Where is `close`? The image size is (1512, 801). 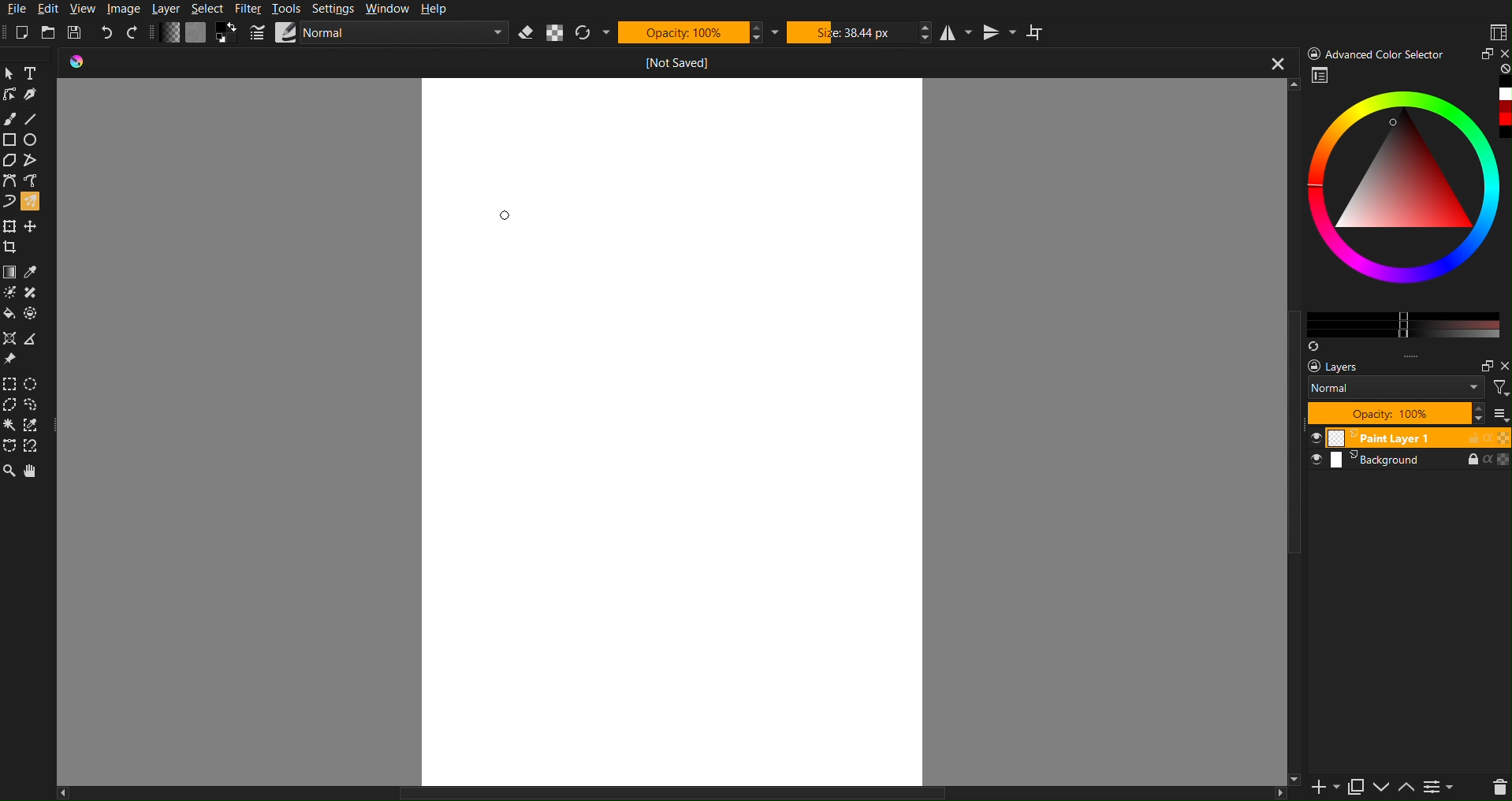
close is located at coordinates (1503, 52).